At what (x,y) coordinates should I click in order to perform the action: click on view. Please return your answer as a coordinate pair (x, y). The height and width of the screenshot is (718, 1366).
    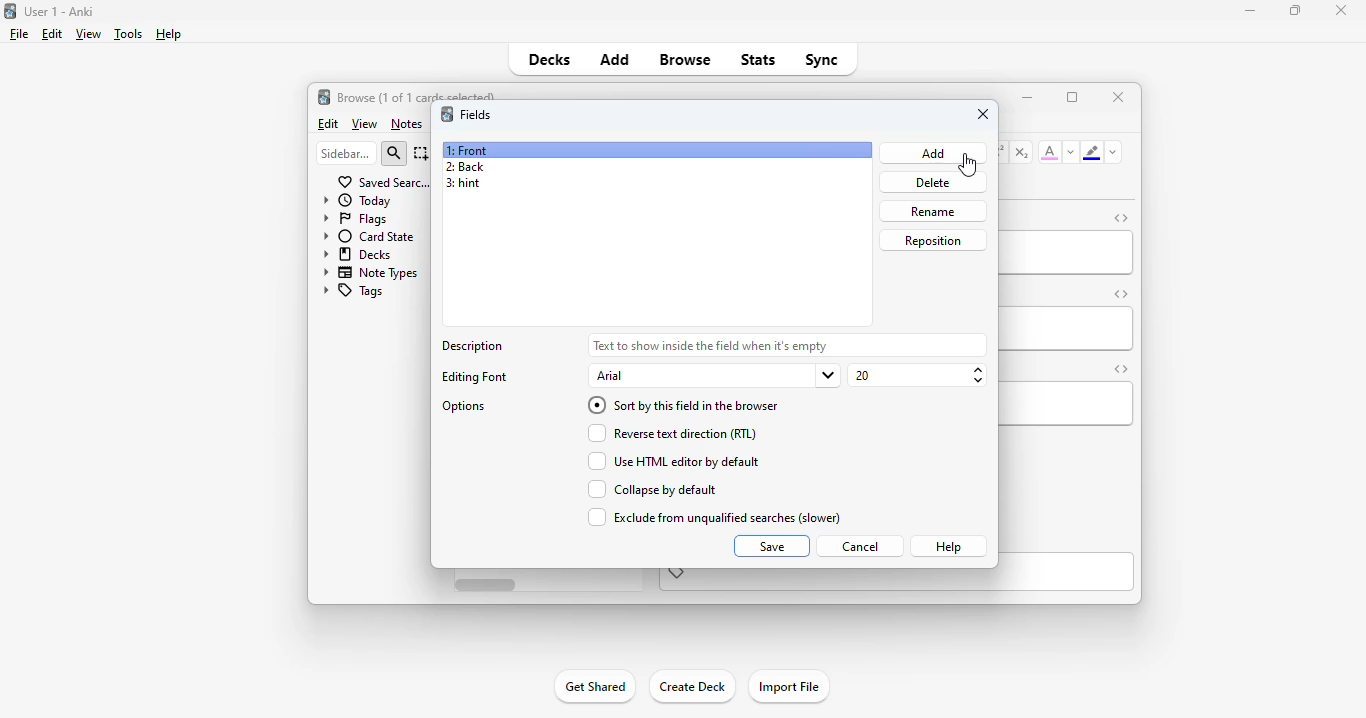
    Looking at the image, I should click on (365, 125).